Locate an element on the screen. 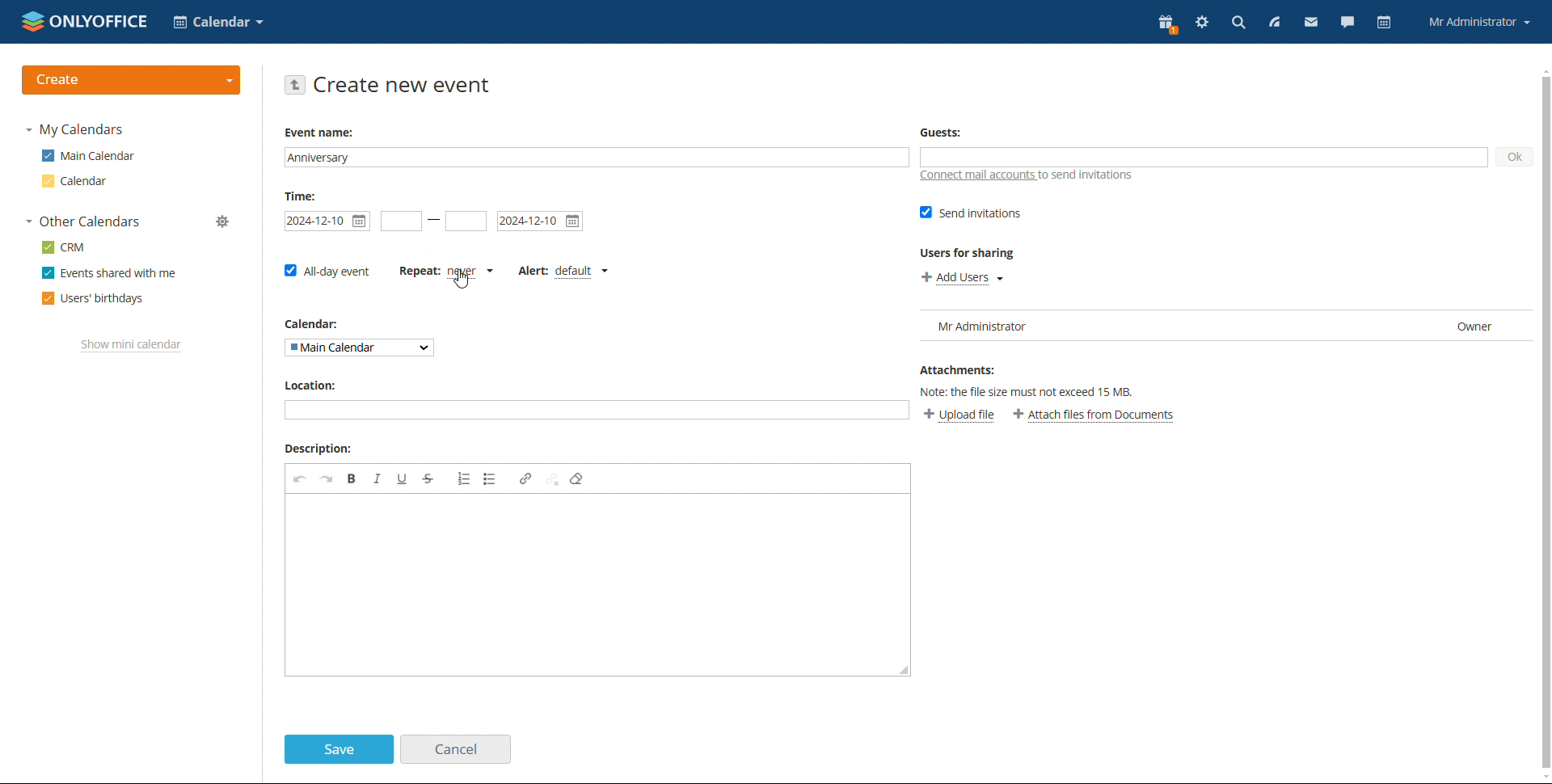 This screenshot has width=1552, height=784. attach file from documents is located at coordinates (1095, 415).